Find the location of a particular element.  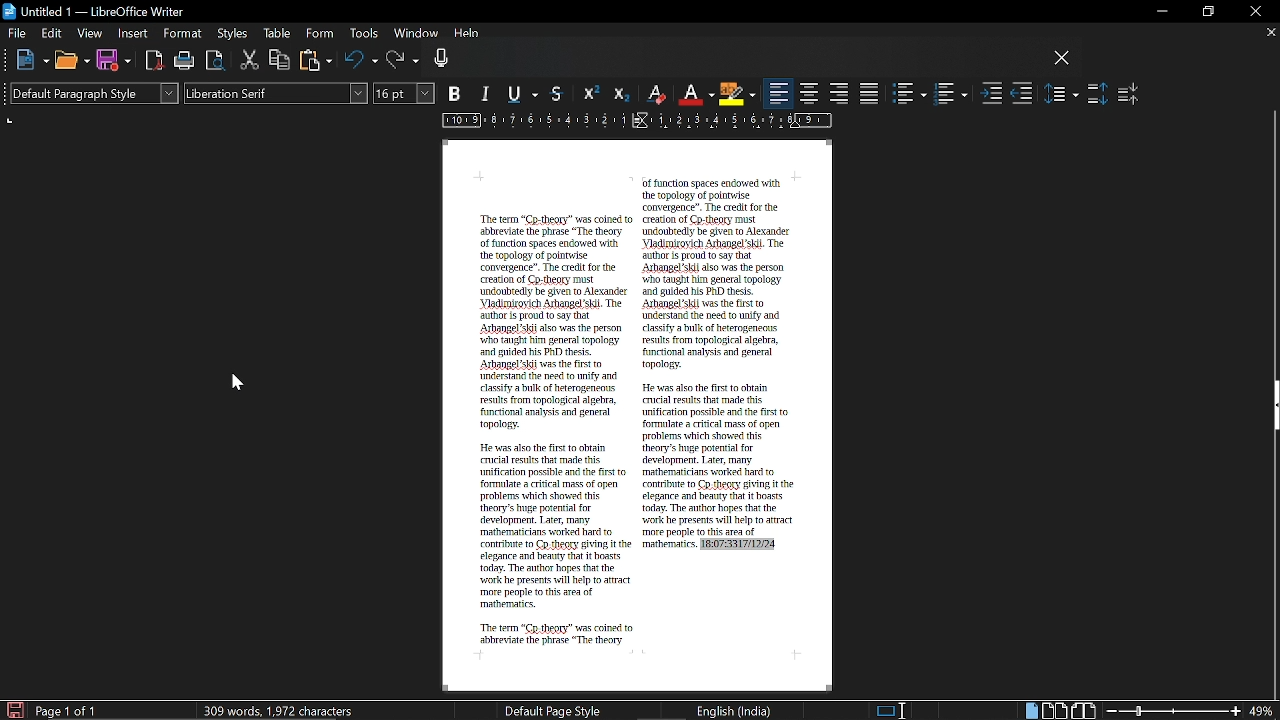

Save is located at coordinates (13, 709).